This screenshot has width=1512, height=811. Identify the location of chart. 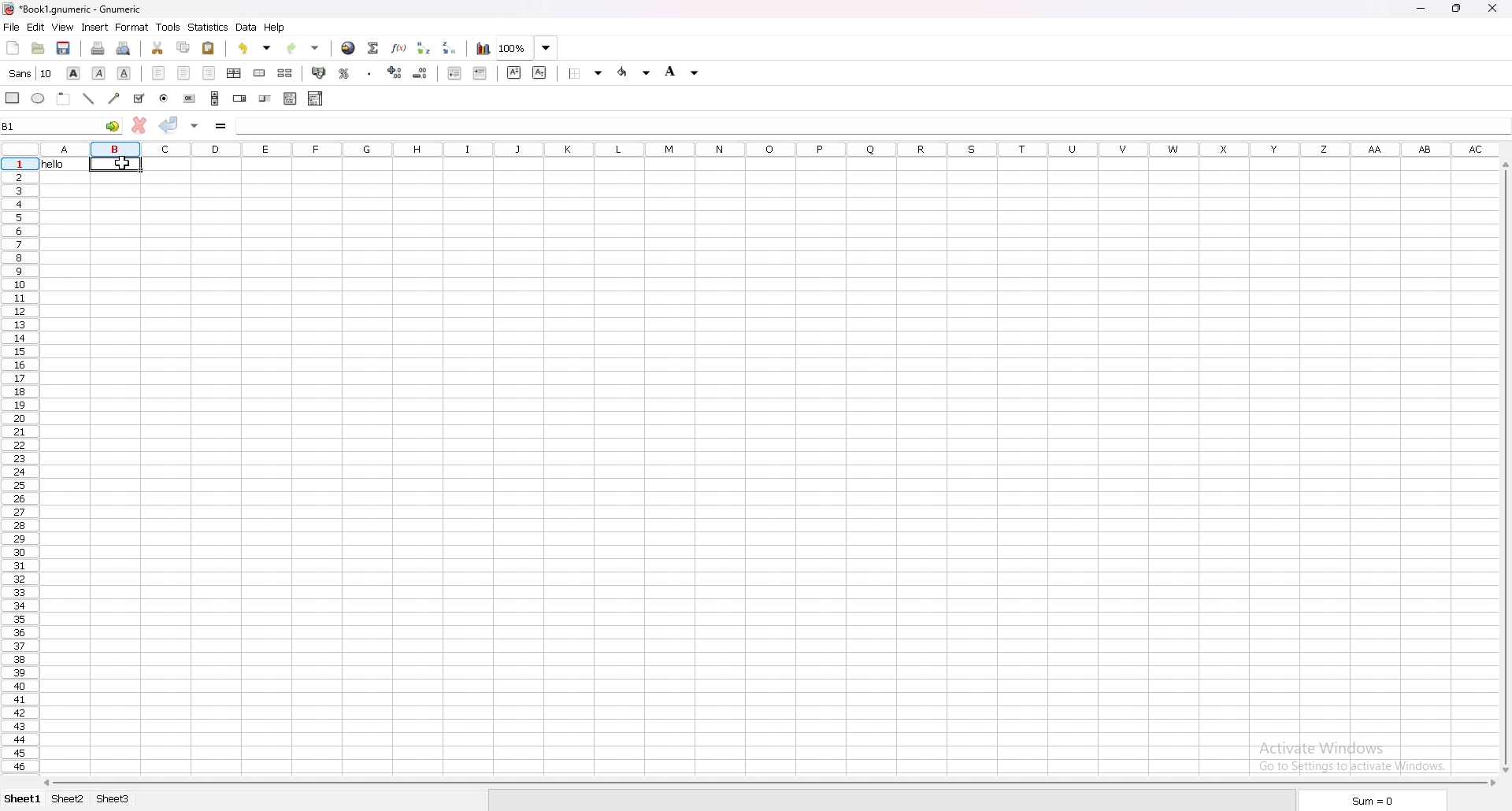
(482, 49).